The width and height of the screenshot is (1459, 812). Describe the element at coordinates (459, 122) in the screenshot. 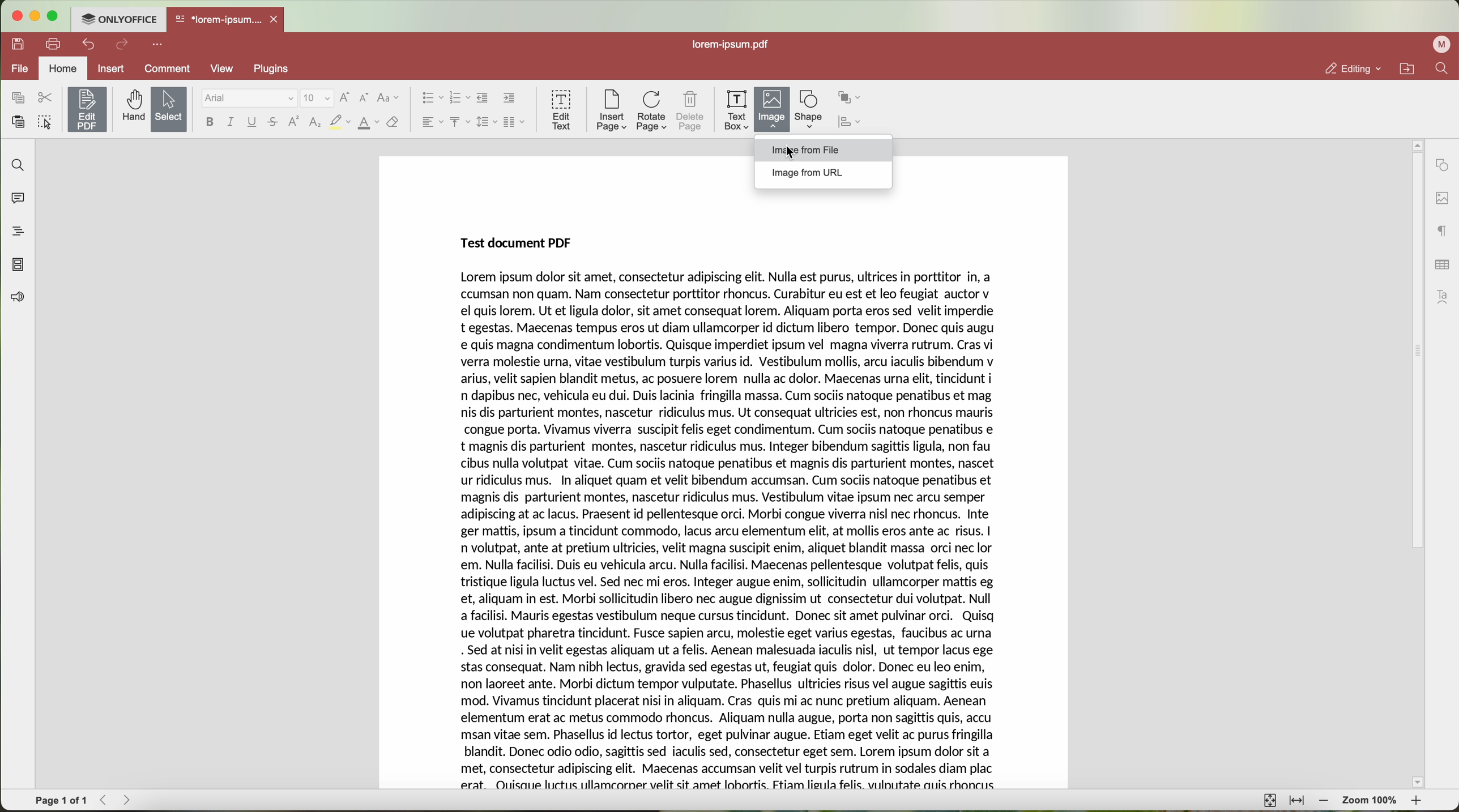

I see `vertical align` at that location.